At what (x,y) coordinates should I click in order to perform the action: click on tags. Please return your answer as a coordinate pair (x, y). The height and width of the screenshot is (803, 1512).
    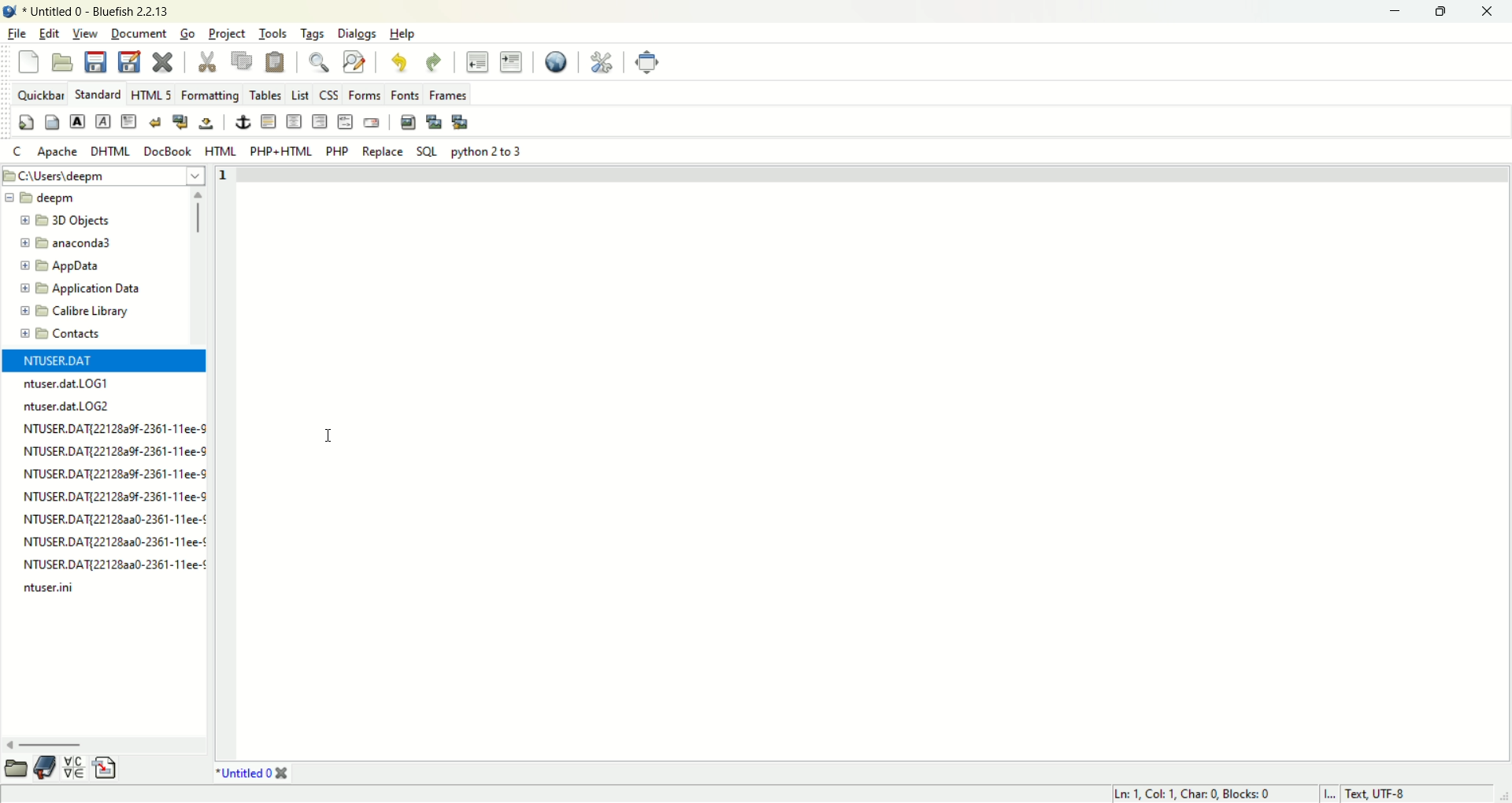
    Looking at the image, I should click on (310, 34).